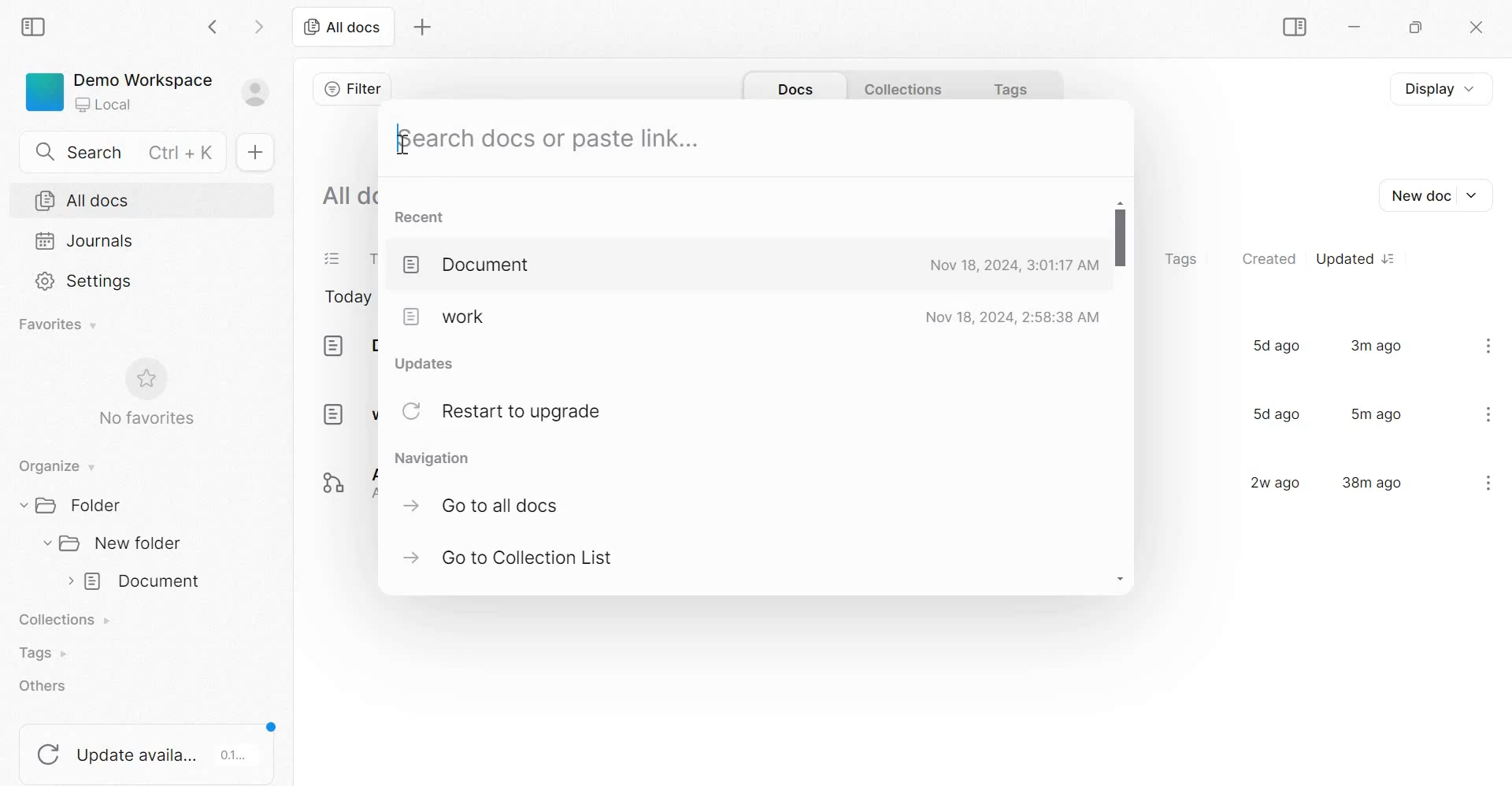 Image resolution: width=1512 pixels, height=786 pixels. What do you see at coordinates (1489, 414) in the screenshot?
I see `kebab menu` at bounding box center [1489, 414].